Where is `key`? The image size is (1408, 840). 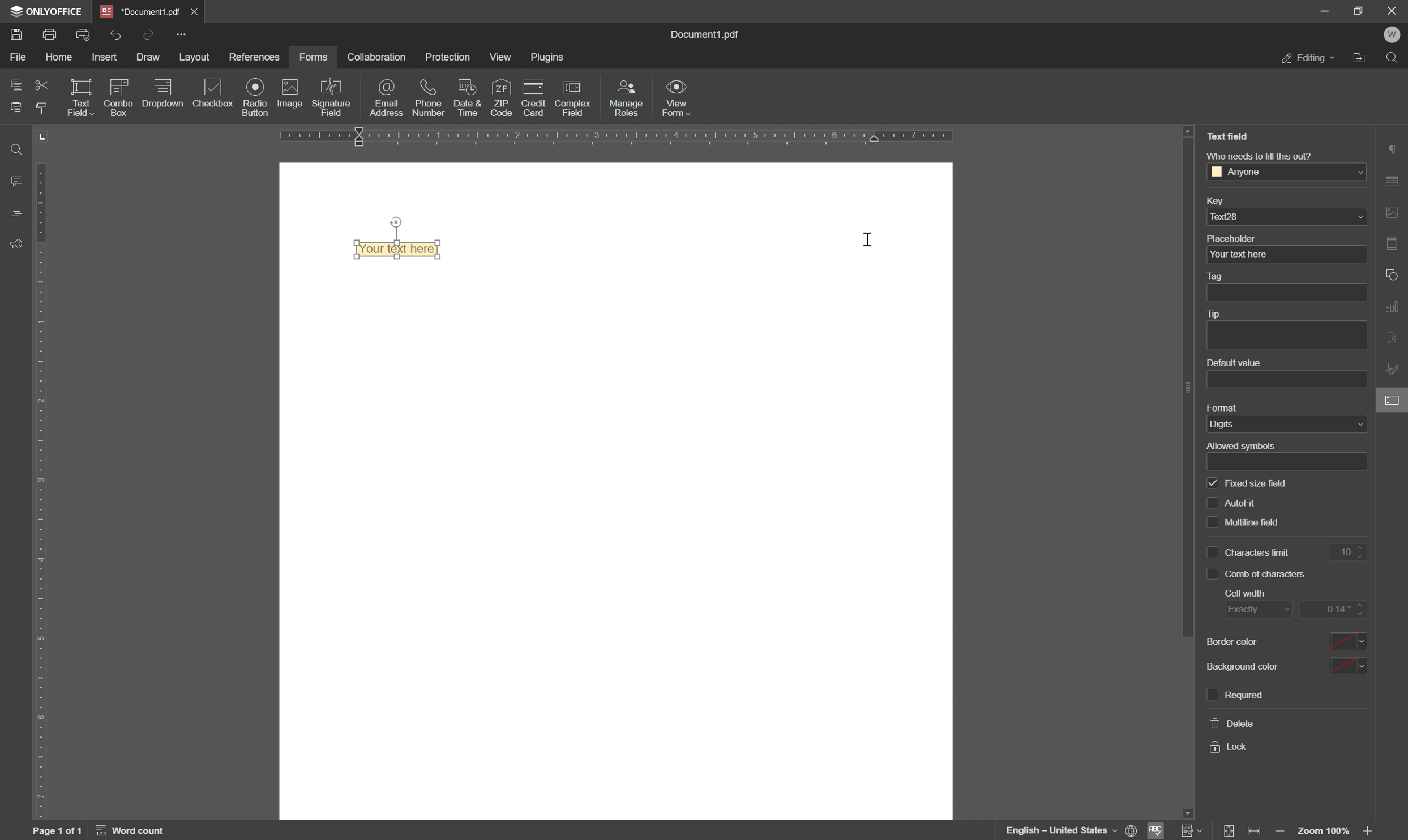 key is located at coordinates (1217, 200).